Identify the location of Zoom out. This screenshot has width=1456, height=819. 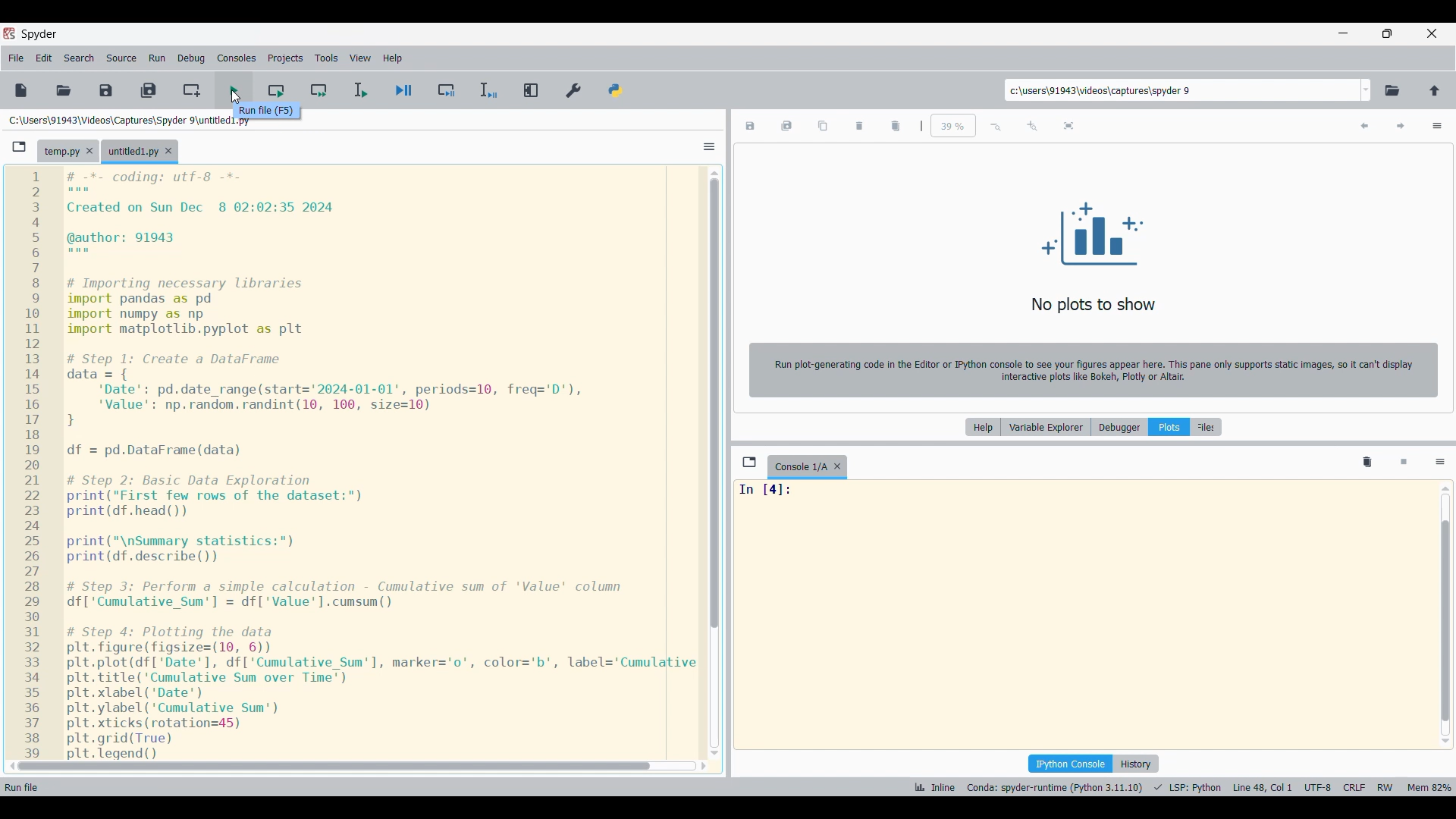
(996, 126).